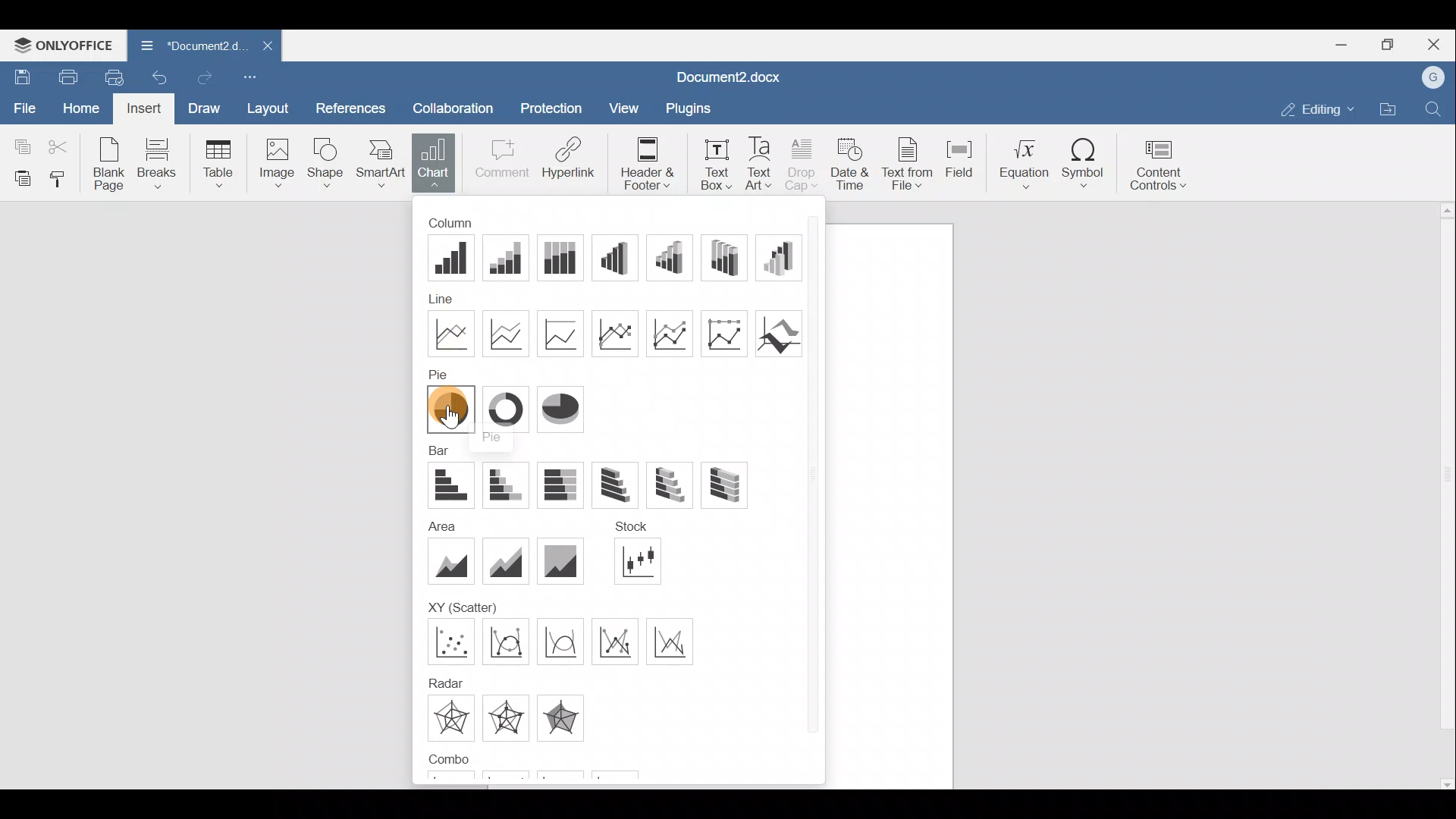  Describe the element at coordinates (504, 562) in the screenshot. I see `Stacked area` at that location.